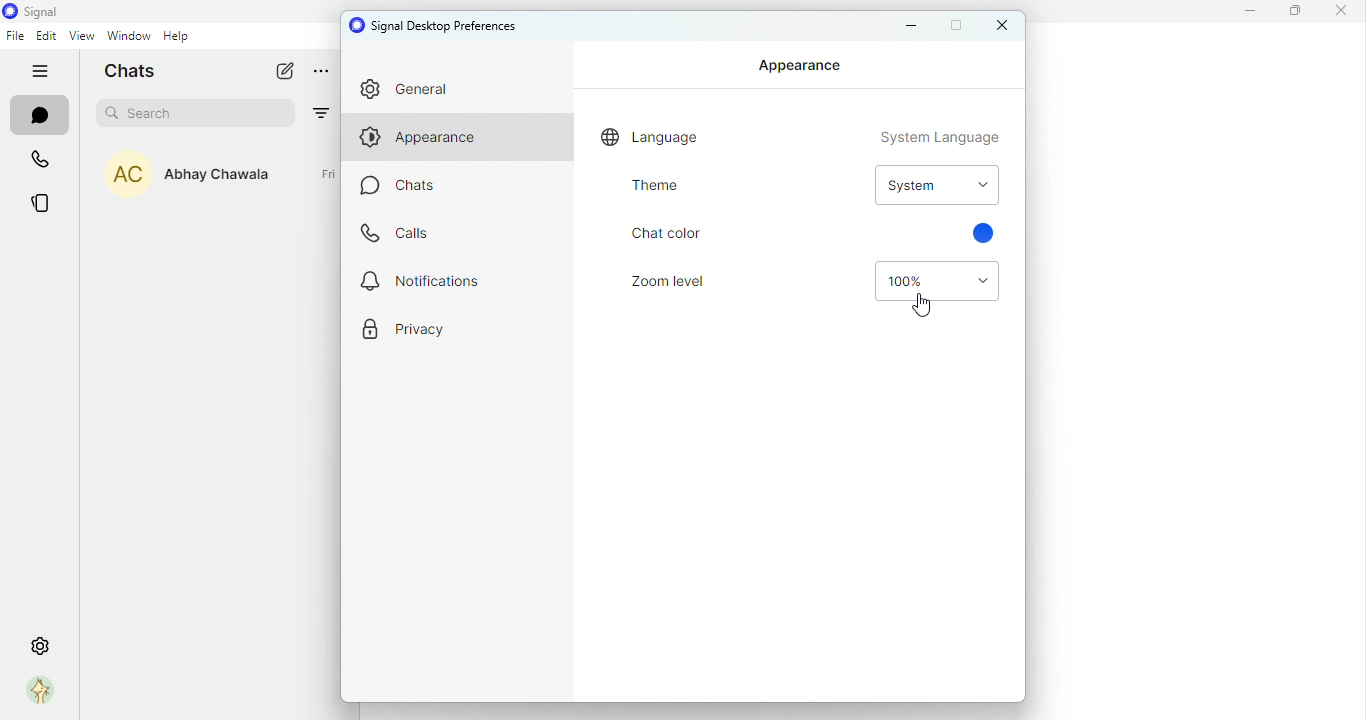 This screenshot has width=1366, height=720. What do you see at coordinates (38, 72) in the screenshot?
I see `hide tabs` at bounding box center [38, 72].